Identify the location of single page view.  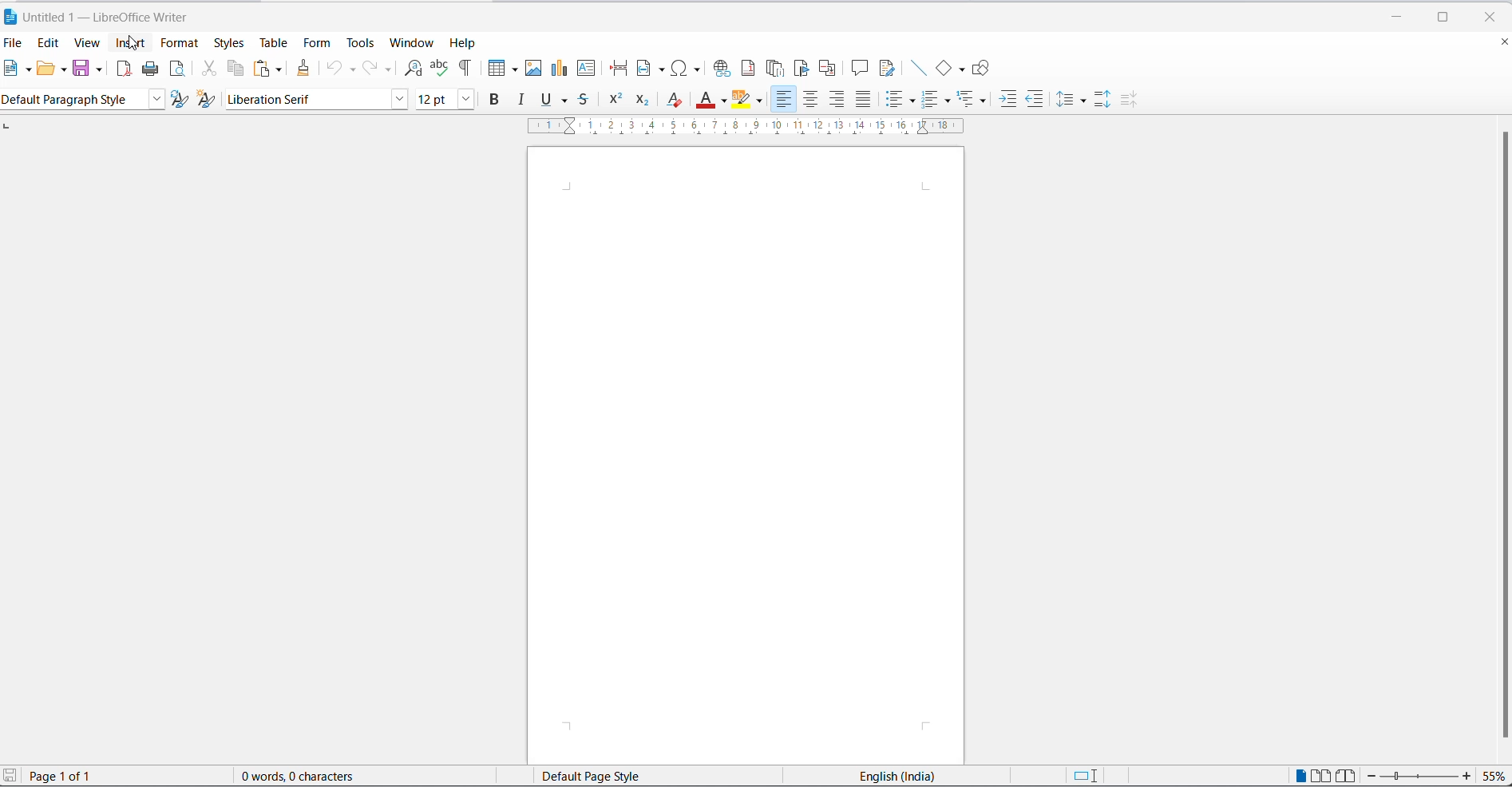
(1300, 776).